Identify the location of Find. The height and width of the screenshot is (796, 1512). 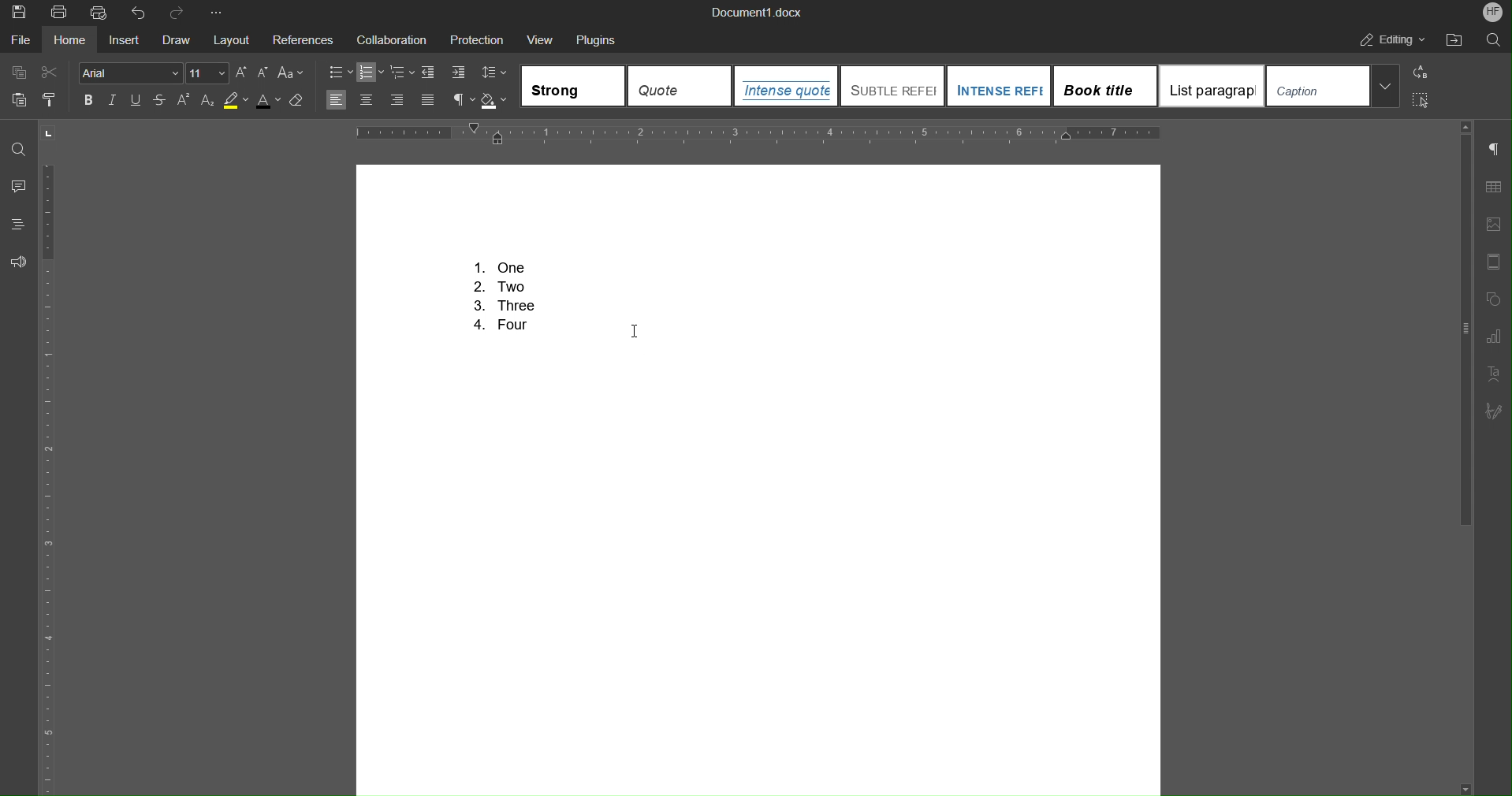
(18, 151).